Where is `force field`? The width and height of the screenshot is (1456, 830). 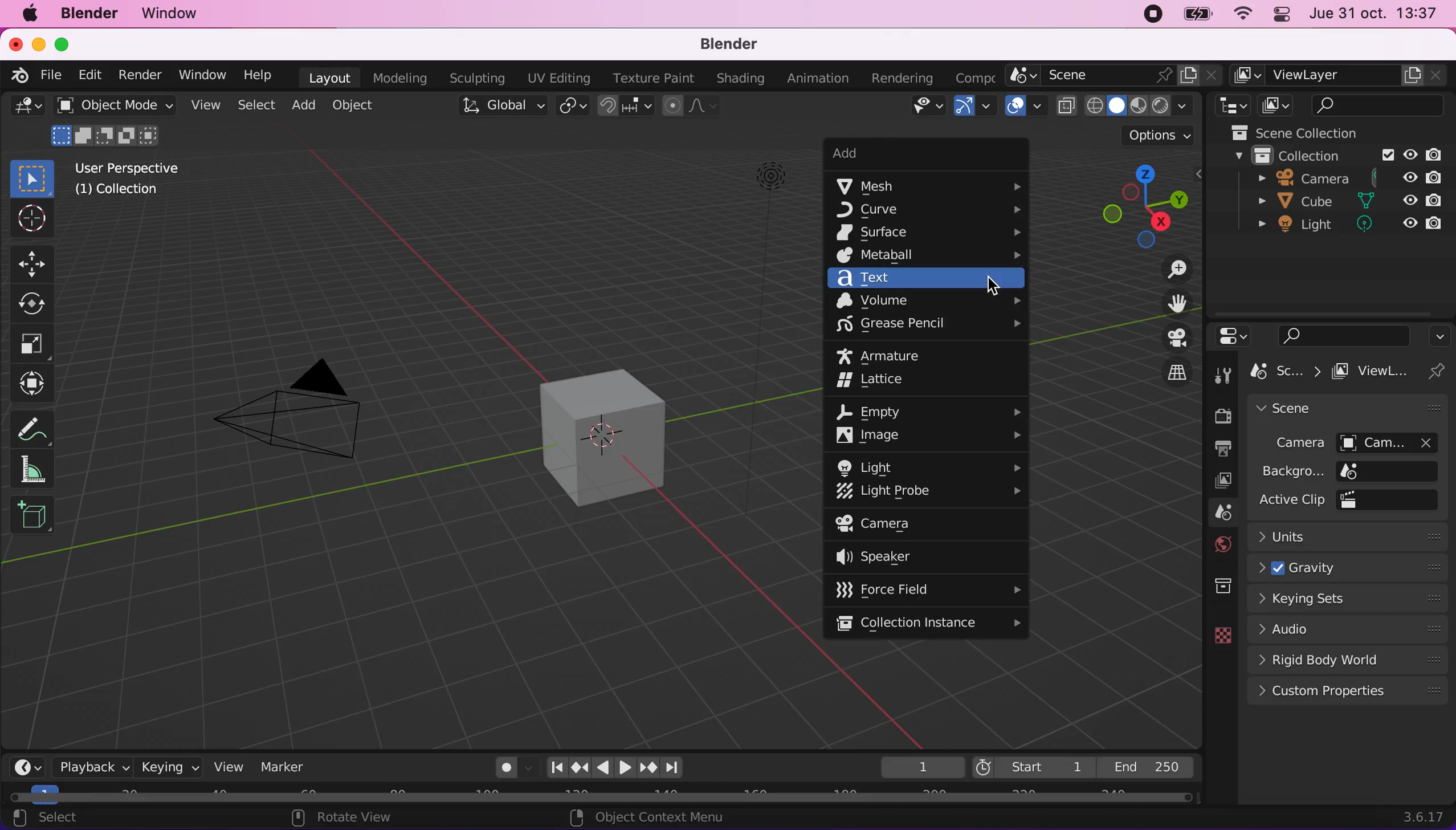 force field is located at coordinates (927, 589).